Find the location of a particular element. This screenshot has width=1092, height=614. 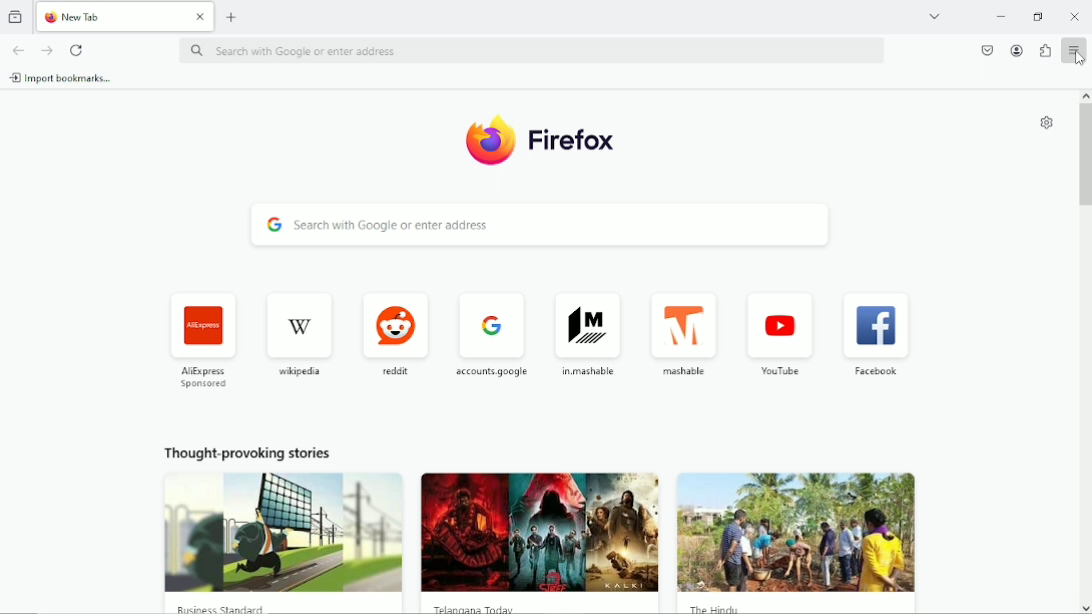

Thought provoking stories is located at coordinates (279, 527).